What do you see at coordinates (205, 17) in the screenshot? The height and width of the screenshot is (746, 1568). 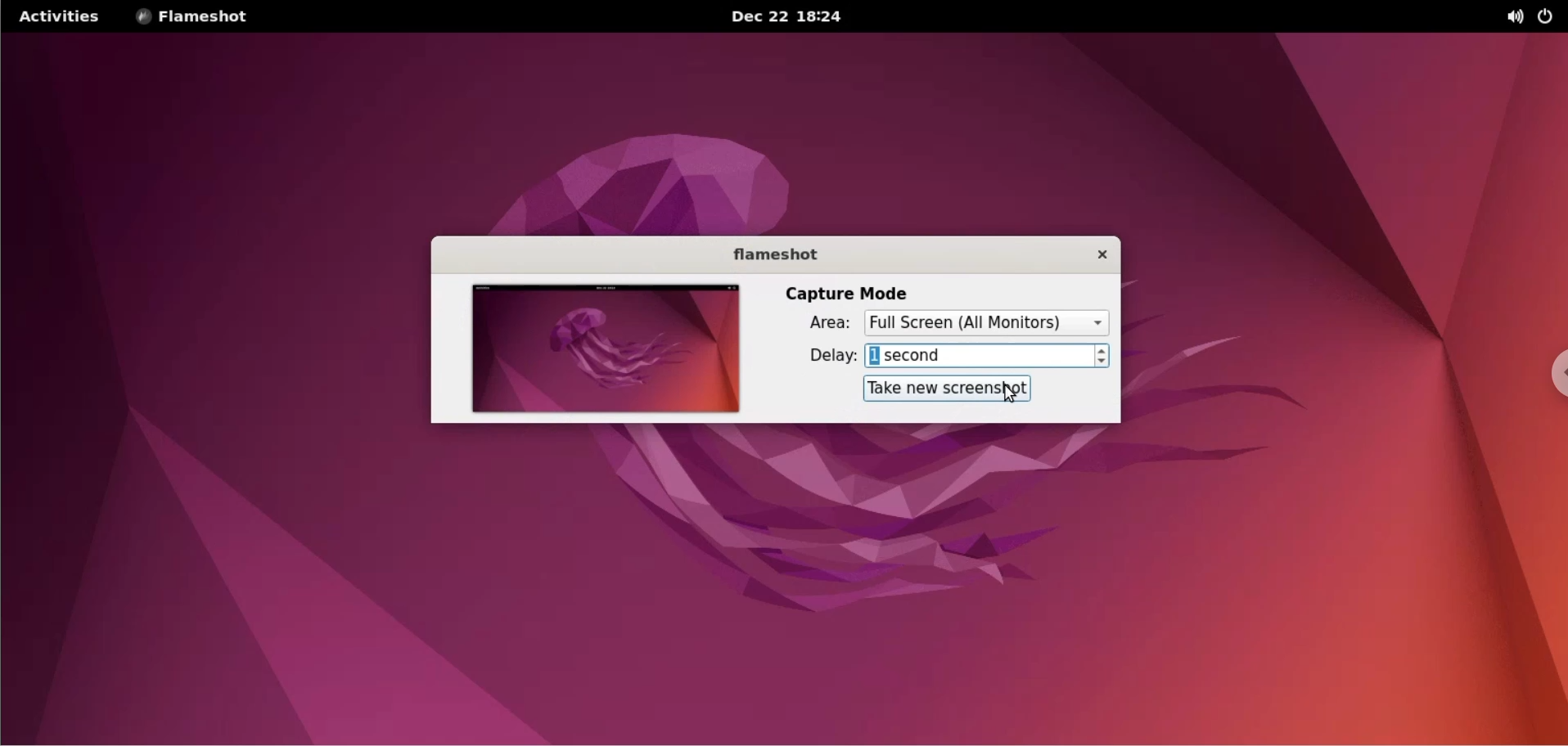 I see `flameshot menu` at bounding box center [205, 17].